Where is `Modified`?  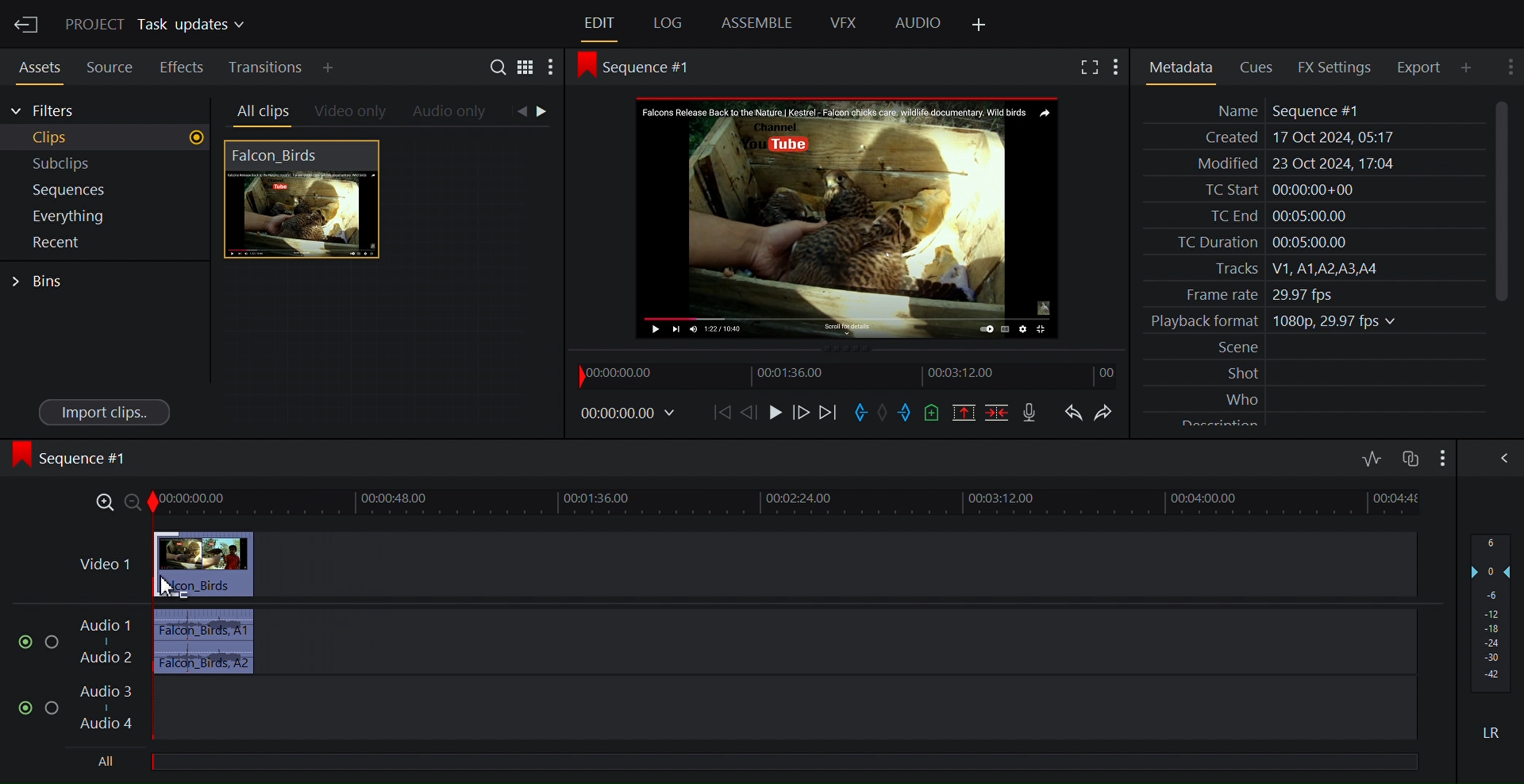 Modified is located at coordinates (1310, 165).